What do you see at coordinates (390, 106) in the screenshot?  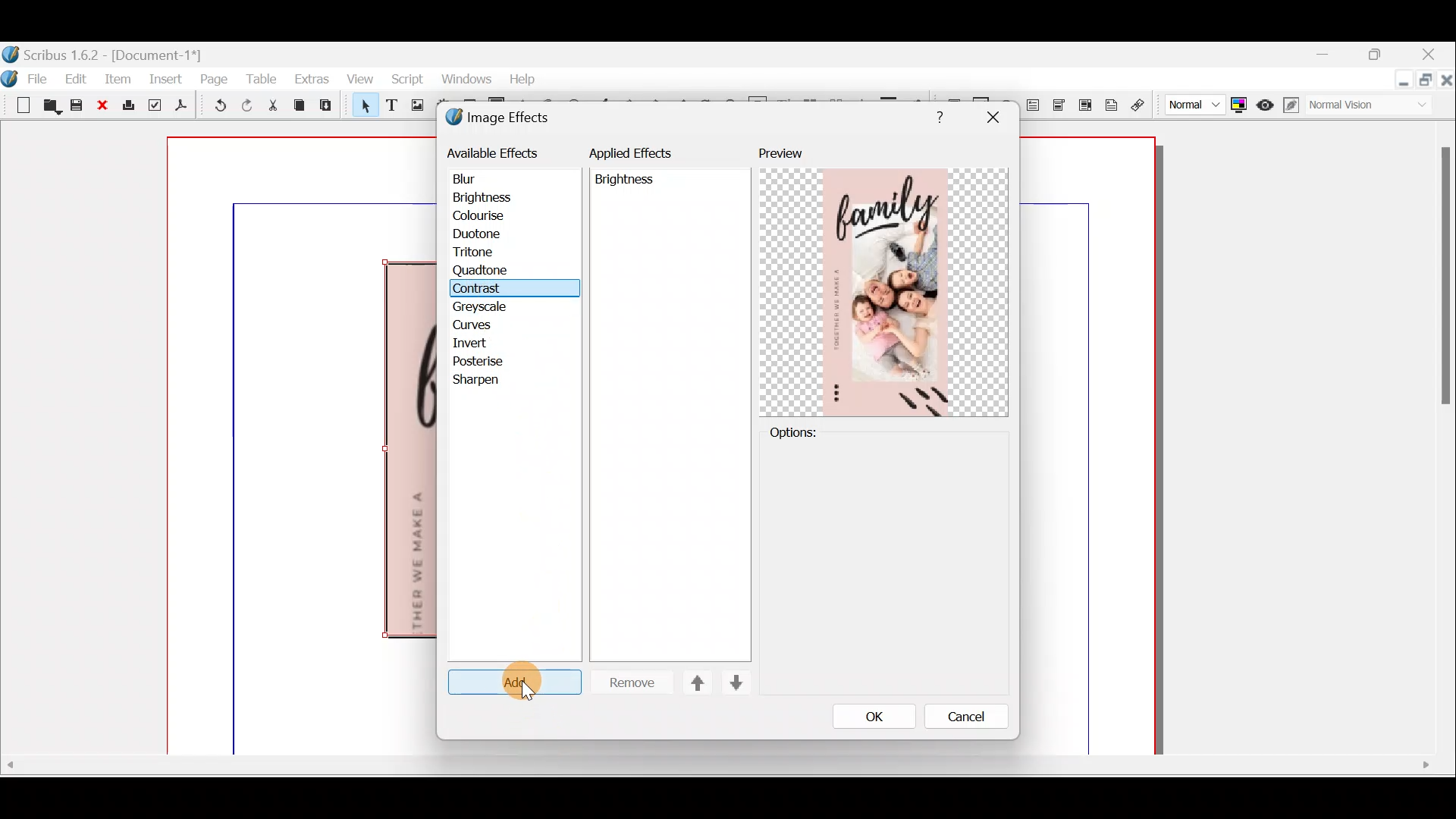 I see `Text frame` at bounding box center [390, 106].